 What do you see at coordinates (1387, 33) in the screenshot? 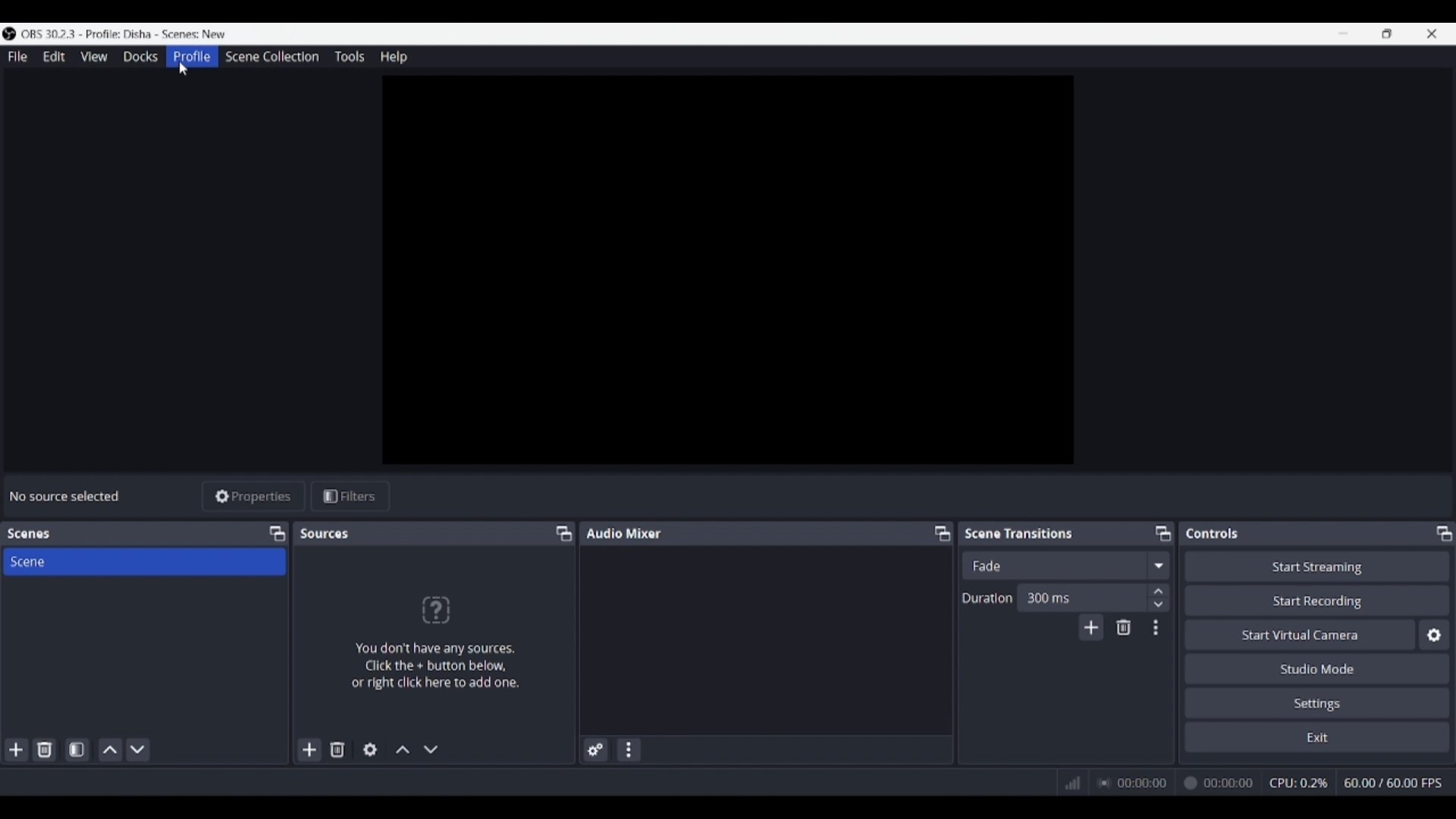
I see `Show interface in a smaller tab` at bounding box center [1387, 33].